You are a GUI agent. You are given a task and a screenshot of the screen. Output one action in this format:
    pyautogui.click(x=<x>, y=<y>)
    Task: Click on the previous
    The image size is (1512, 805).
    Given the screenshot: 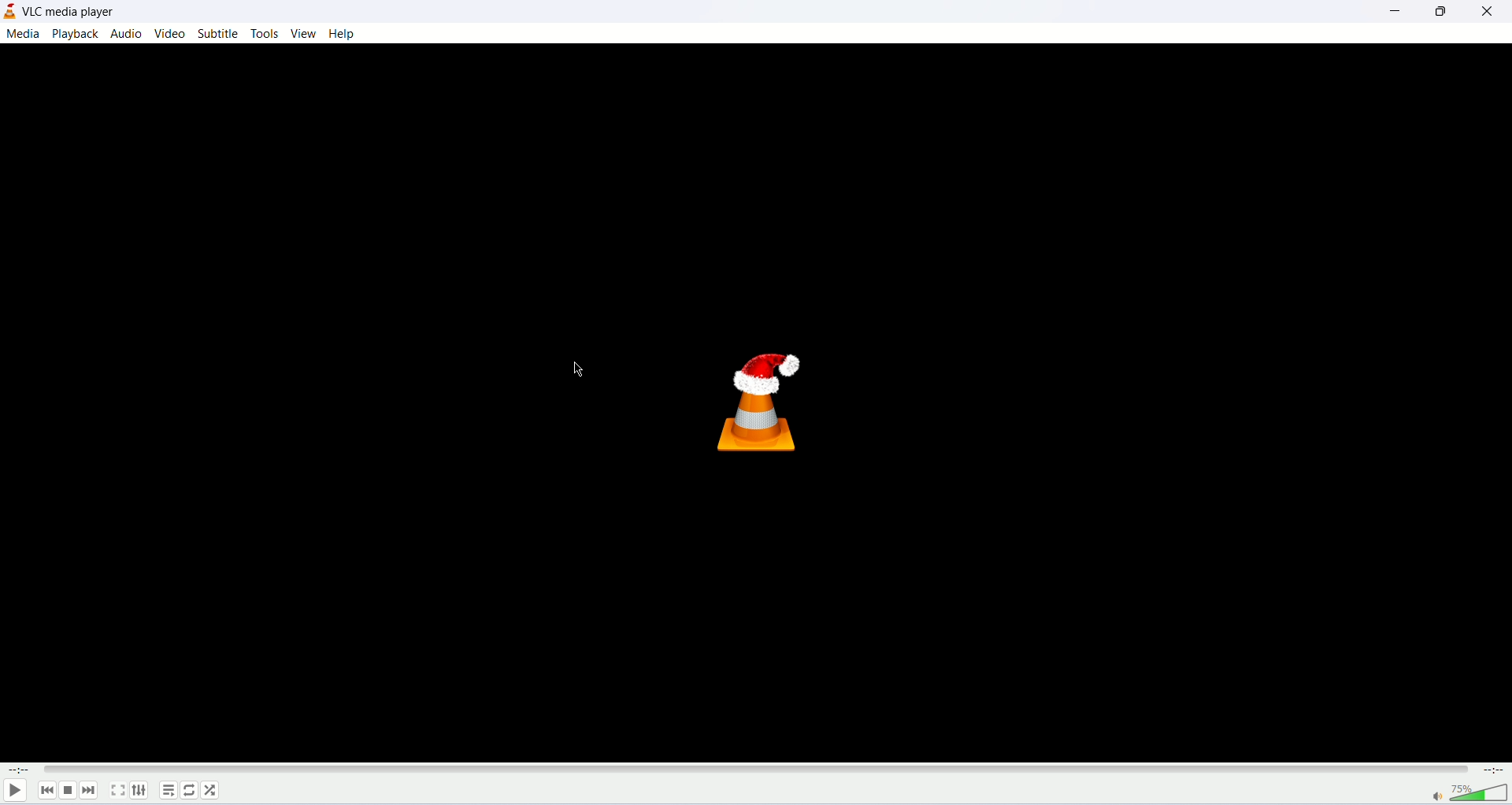 What is the action you would take?
    pyautogui.click(x=45, y=791)
    